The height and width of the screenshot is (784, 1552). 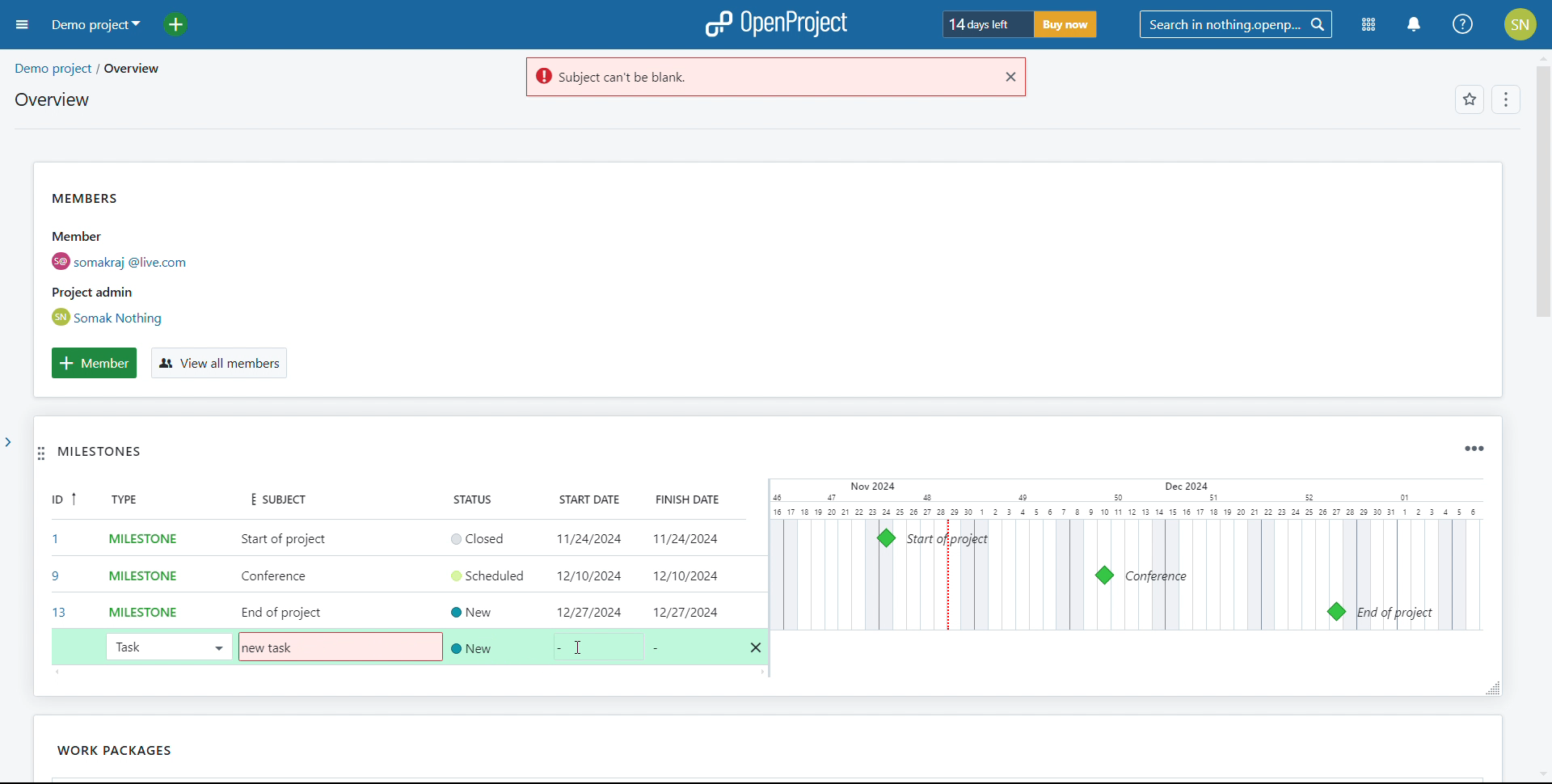 What do you see at coordinates (51, 99) in the screenshot?
I see `overview` at bounding box center [51, 99].